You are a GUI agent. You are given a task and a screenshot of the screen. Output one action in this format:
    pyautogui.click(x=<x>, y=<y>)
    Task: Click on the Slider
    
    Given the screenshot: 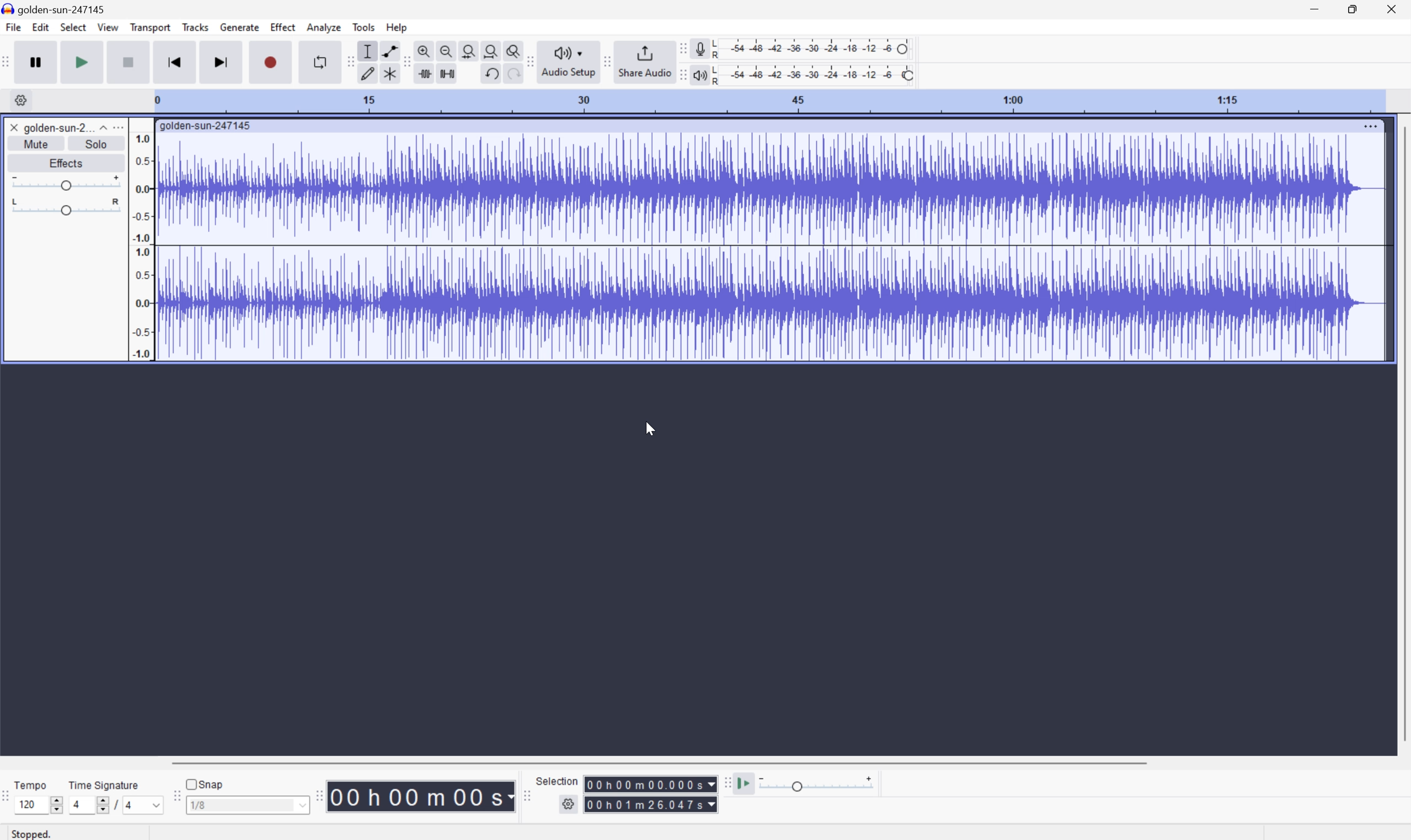 What is the action you would take?
    pyautogui.click(x=65, y=181)
    